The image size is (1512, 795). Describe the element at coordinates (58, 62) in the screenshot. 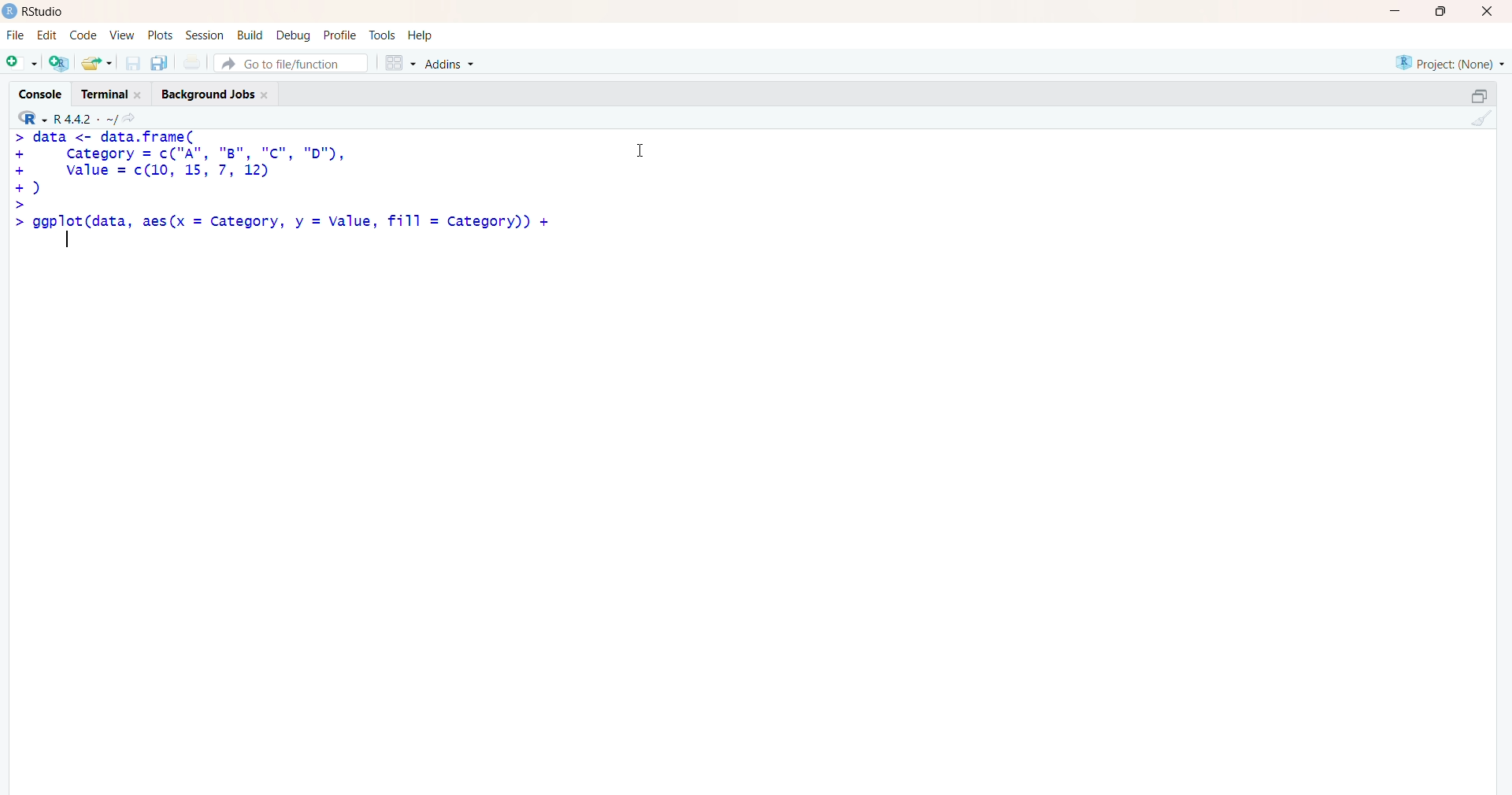

I see `create a project` at that location.